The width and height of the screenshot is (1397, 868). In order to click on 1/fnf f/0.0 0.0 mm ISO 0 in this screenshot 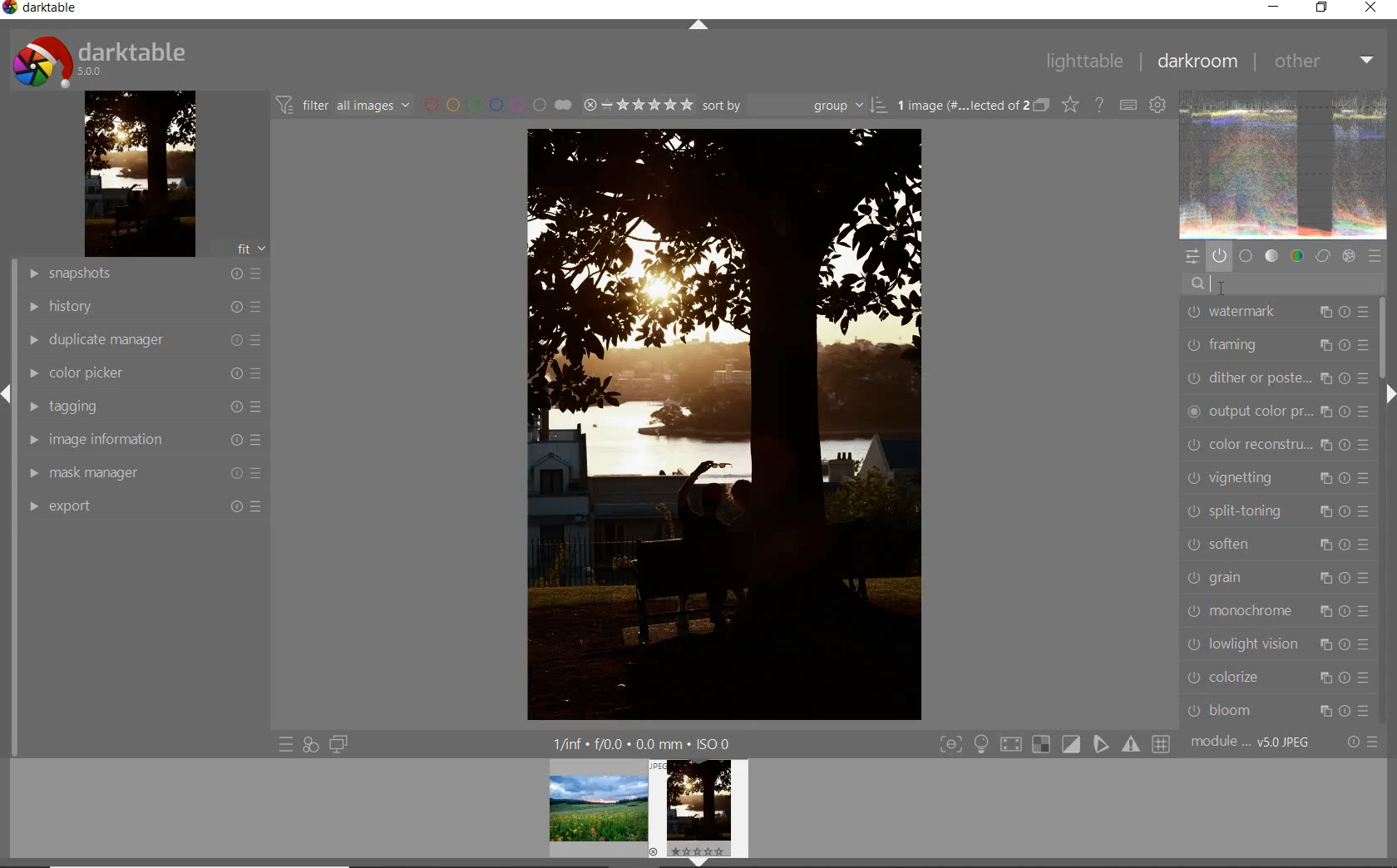, I will do `click(645, 742)`.